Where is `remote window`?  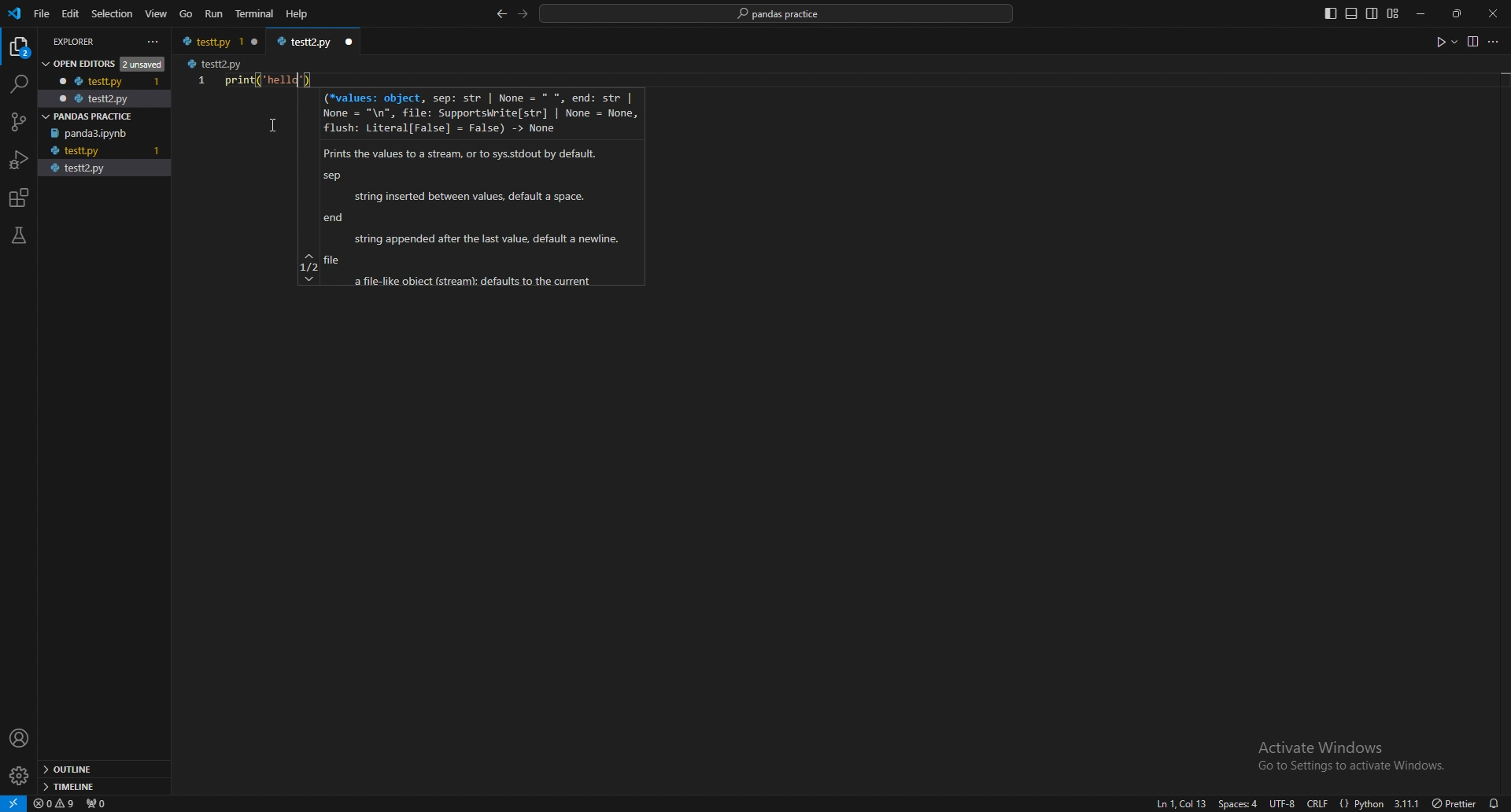 remote window is located at coordinates (13, 803).